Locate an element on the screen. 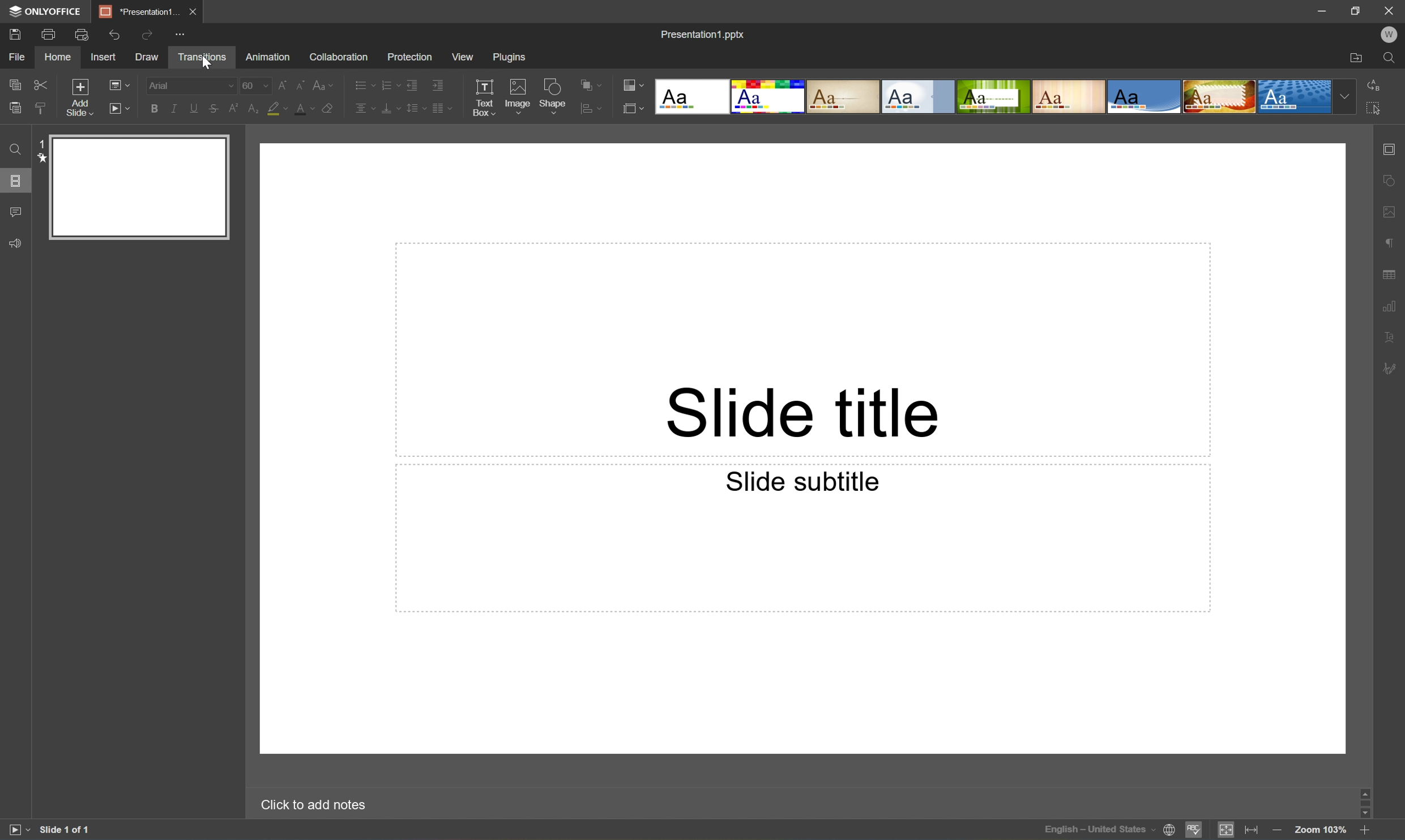 The height and width of the screenshot is (840, 1405). Type of slides is located at coordinates (990, 96).